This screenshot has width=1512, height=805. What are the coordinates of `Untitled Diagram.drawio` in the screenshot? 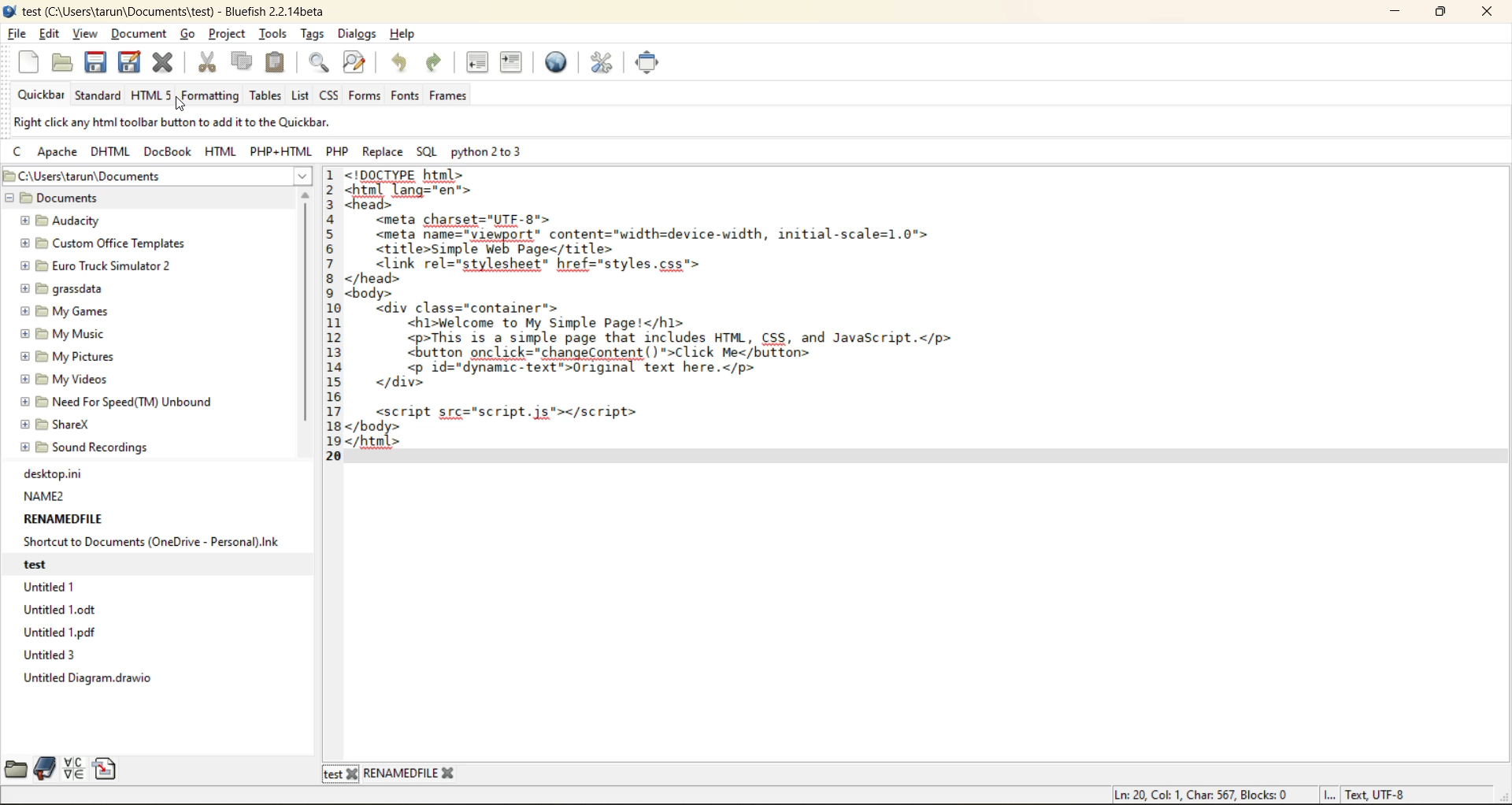 It's located at (91, 681).